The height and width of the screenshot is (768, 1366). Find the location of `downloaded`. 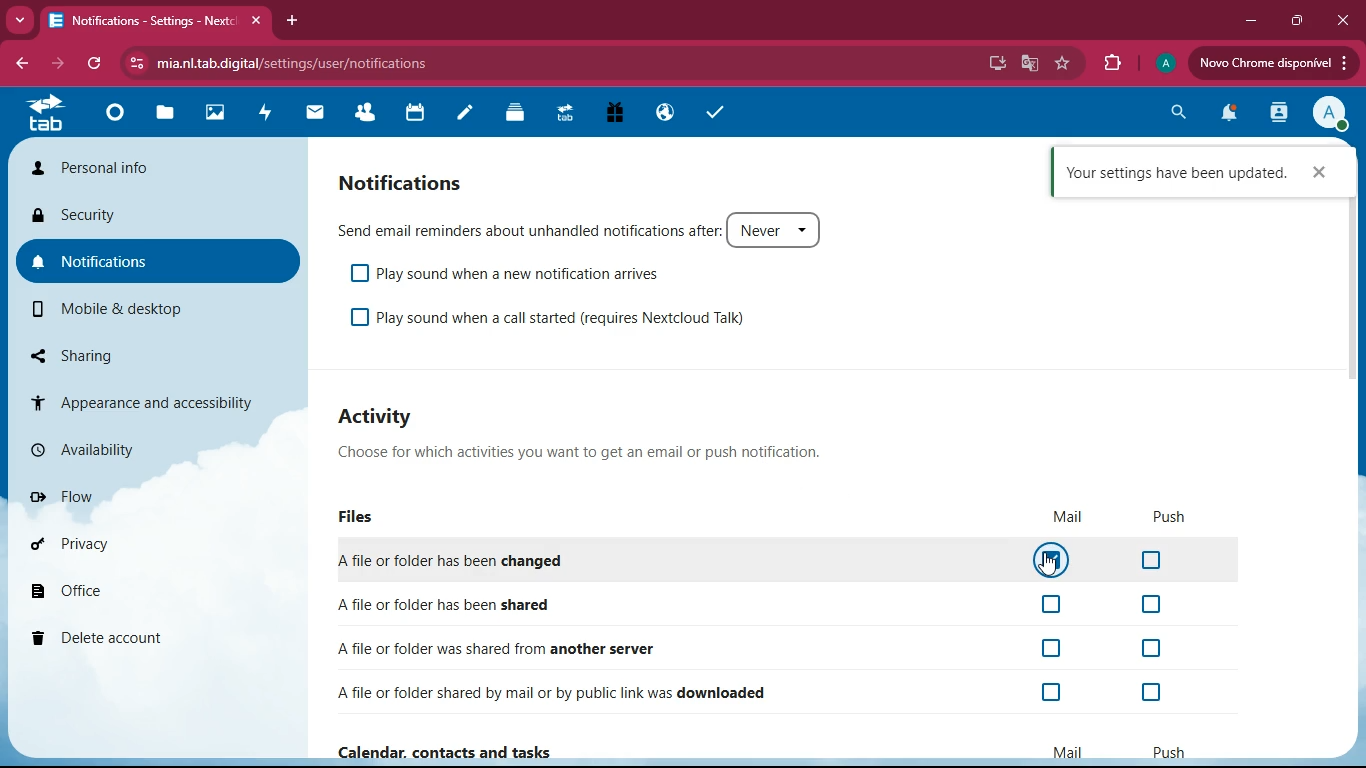

downloaded is located at coordinates (562, 694).